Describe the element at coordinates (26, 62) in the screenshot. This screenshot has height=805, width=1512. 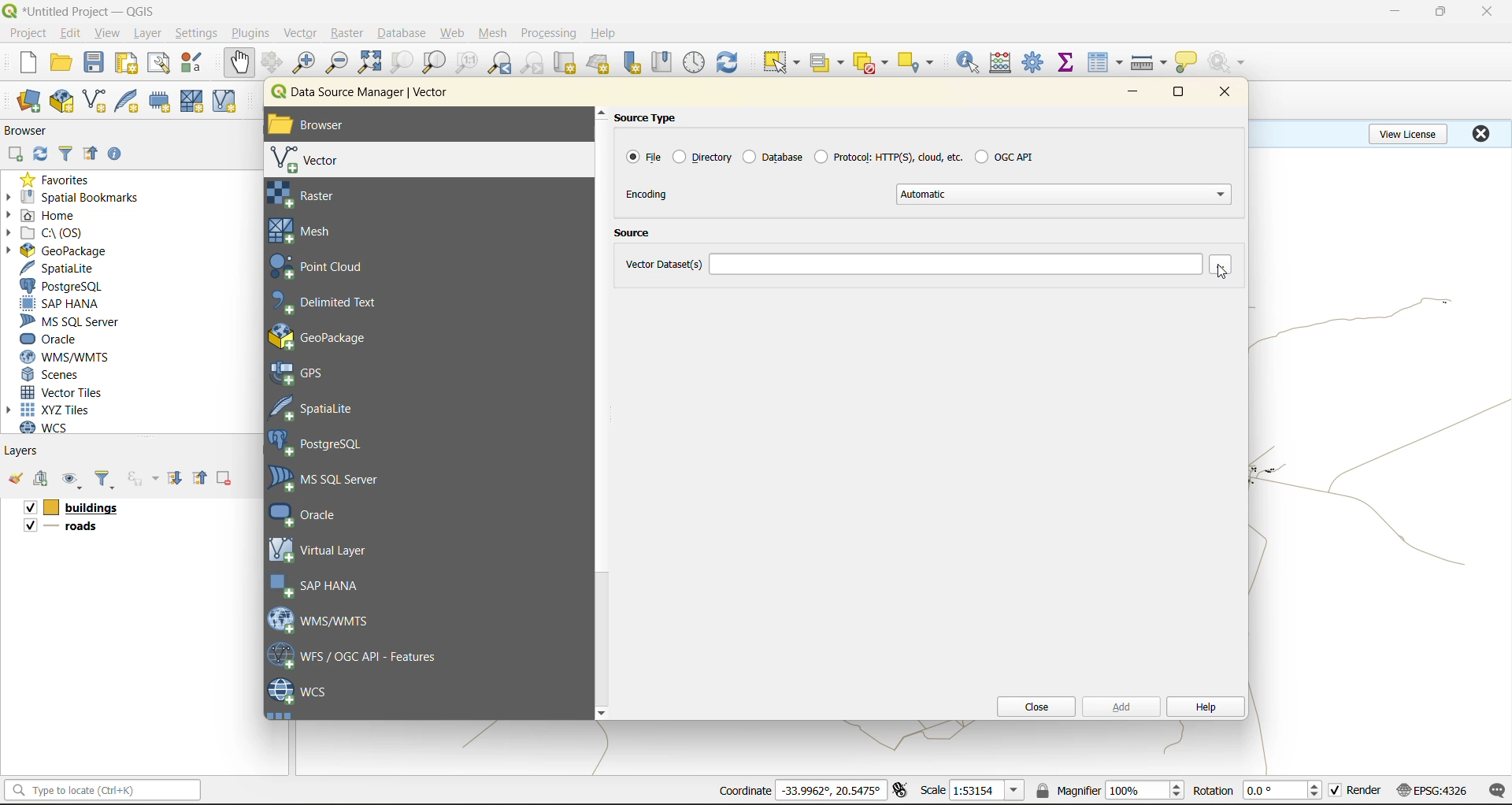
I see `new` at that location.